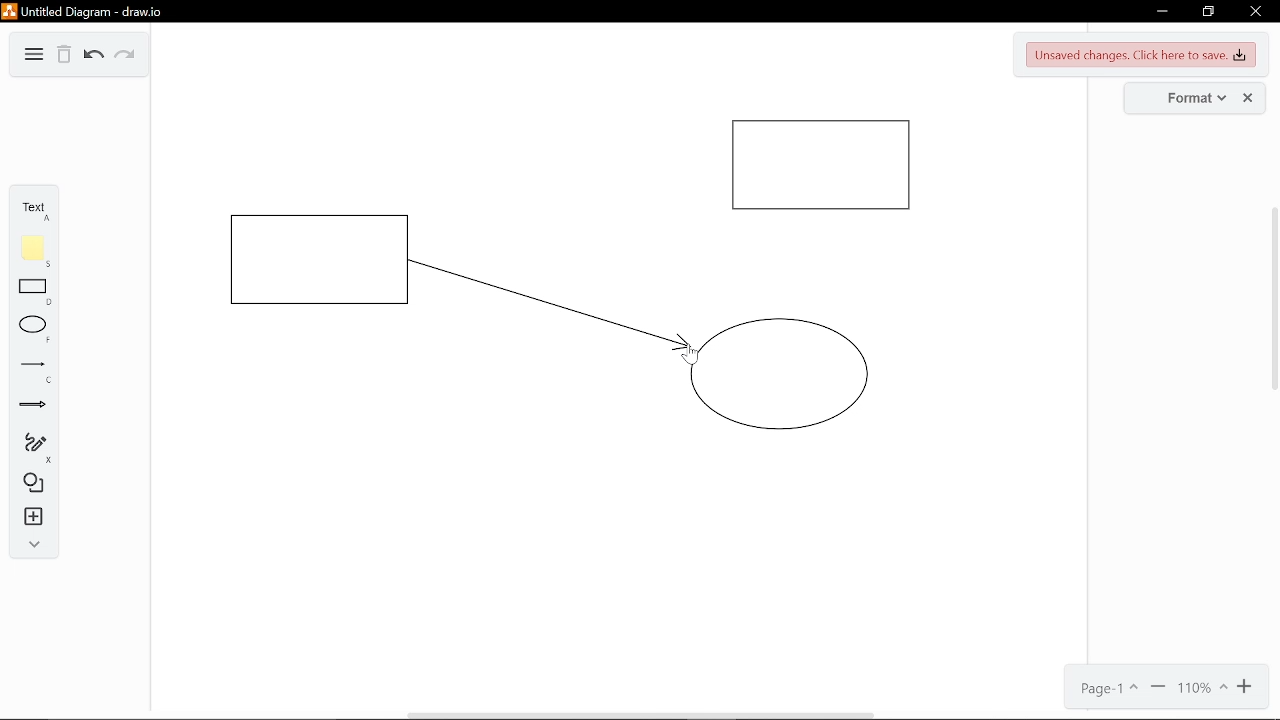 This screenshot has width=1280, height=720. Describe the element at coordinates (1256, 11) in the screenshot. I see `Close` at that location.